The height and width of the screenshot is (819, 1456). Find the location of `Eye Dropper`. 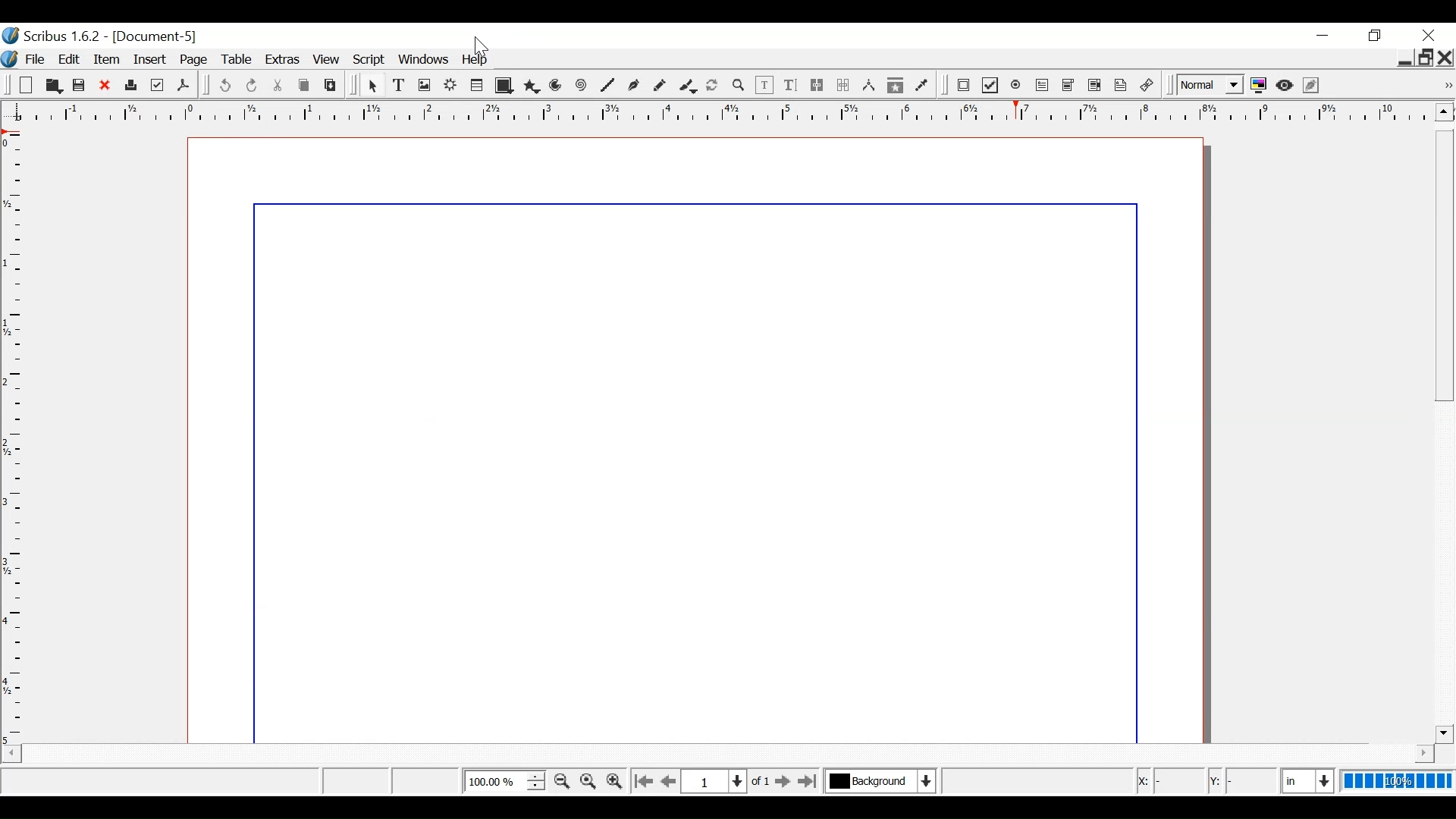

Eye Dropper is located at coordinates (922, 87).